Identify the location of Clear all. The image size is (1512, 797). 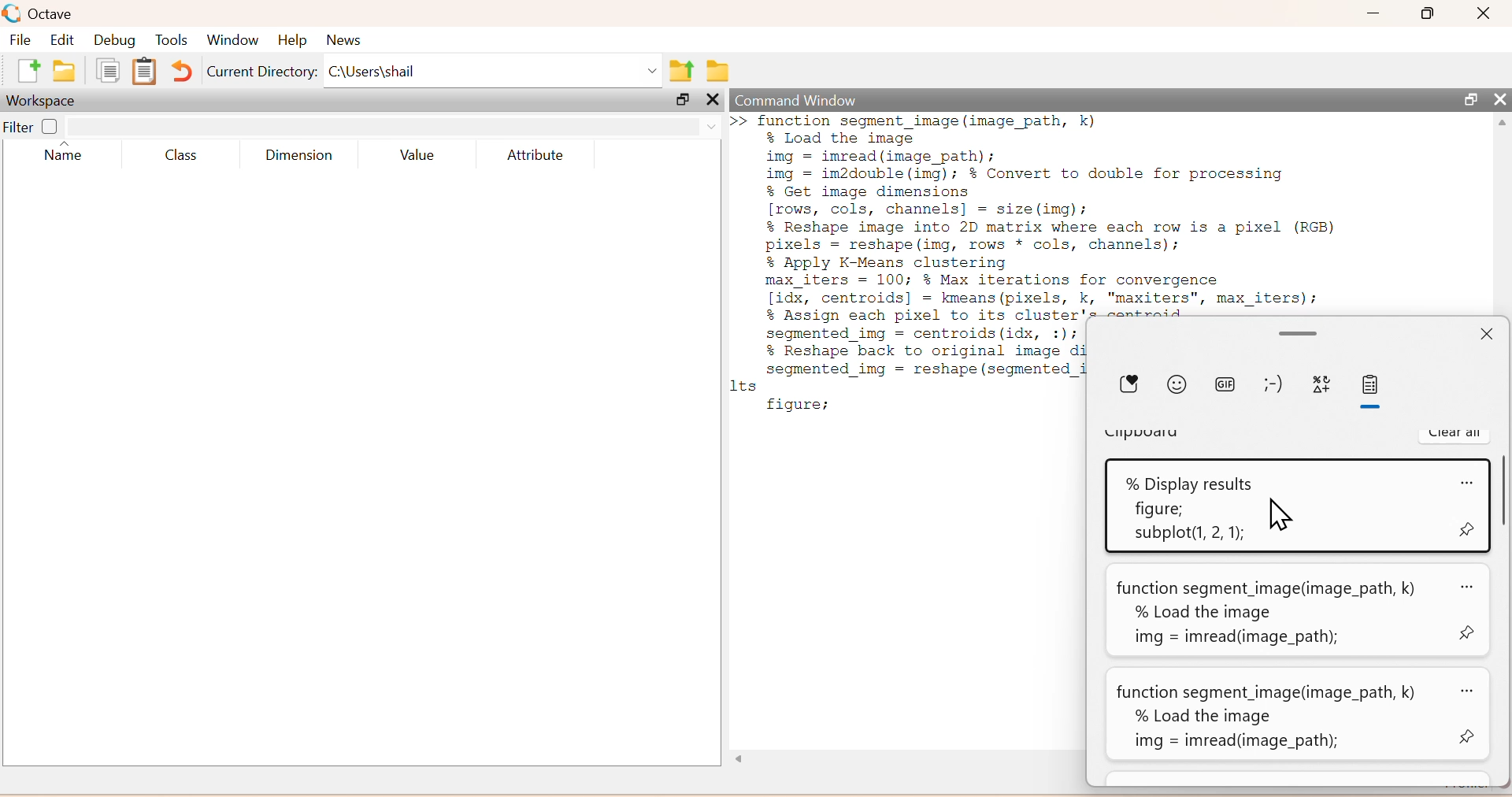
(1455, 433).